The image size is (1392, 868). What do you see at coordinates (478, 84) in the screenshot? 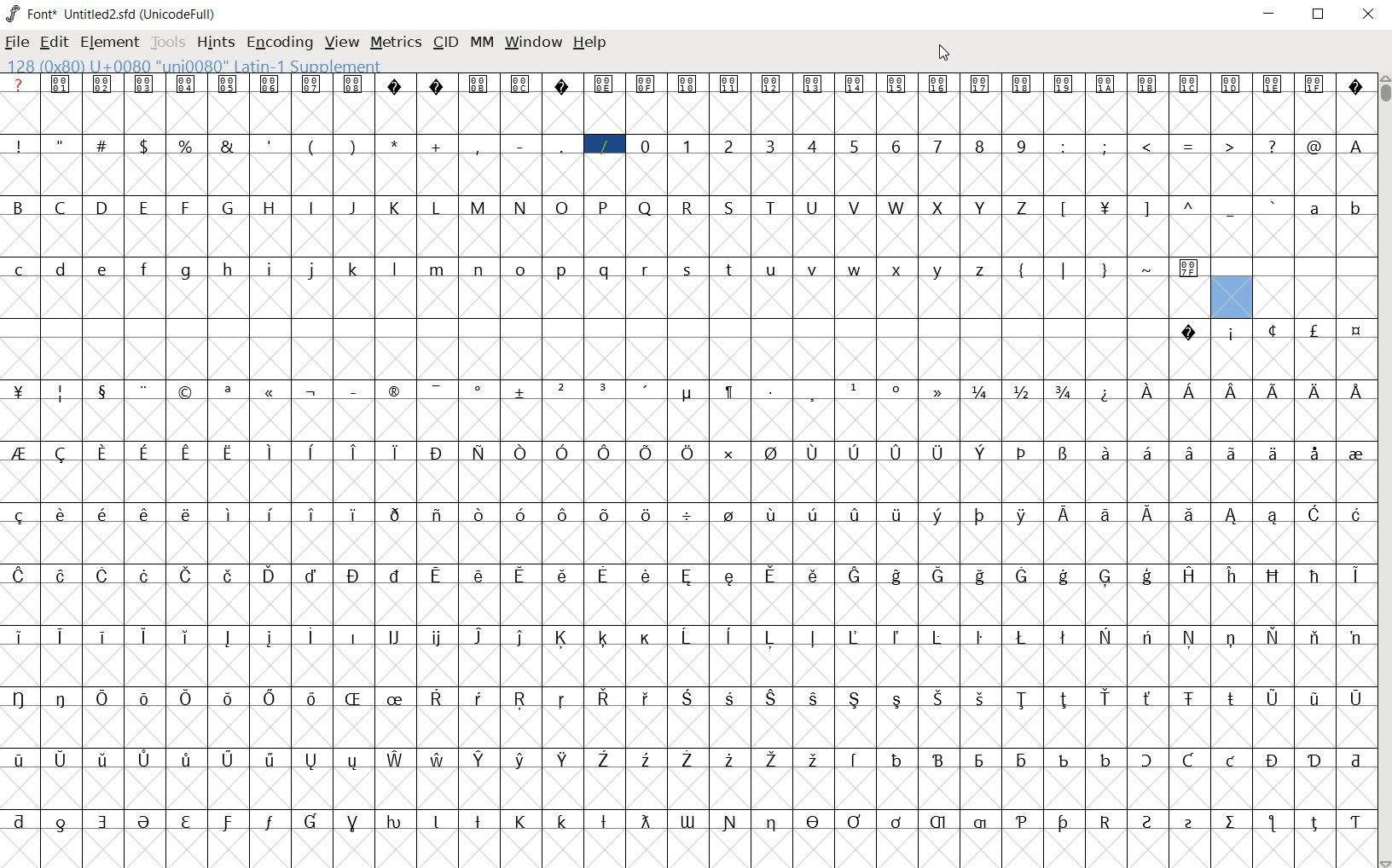
I see `glyph` at bounding box center [478, 84].